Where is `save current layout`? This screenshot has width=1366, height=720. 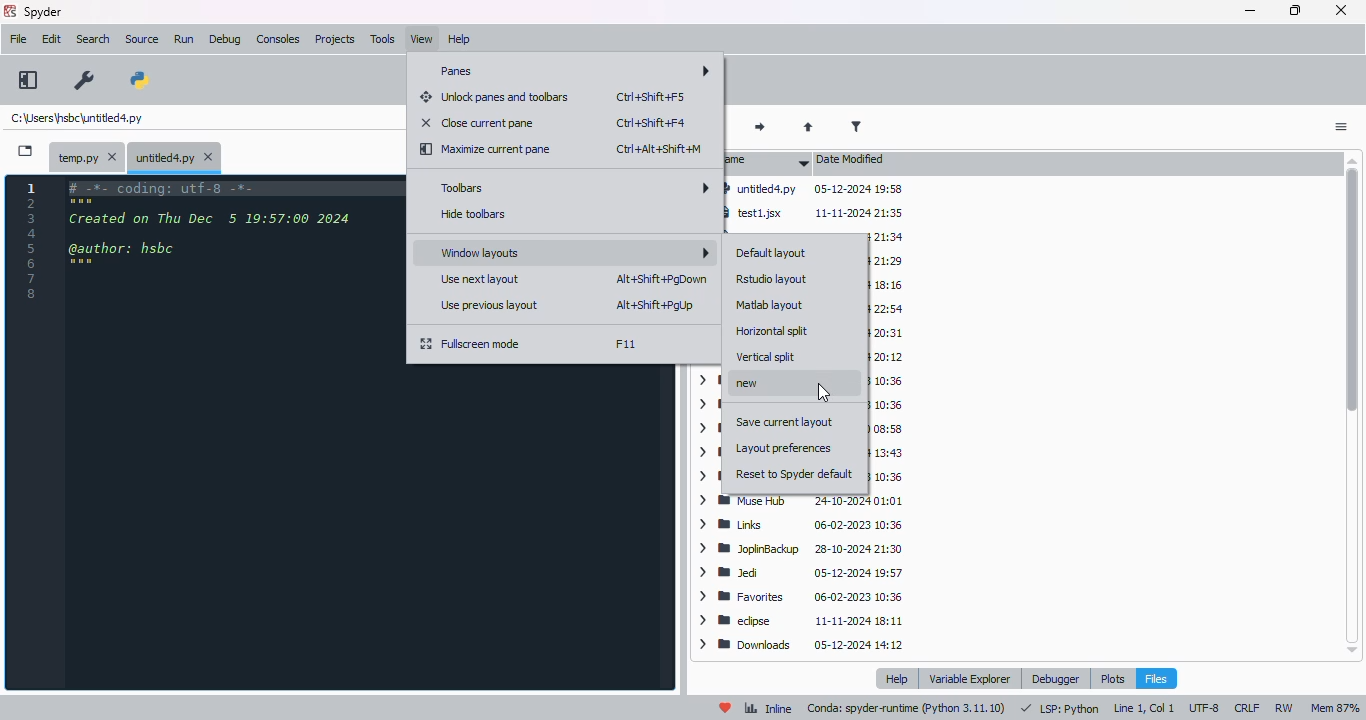 save current layout is located at coordinates (785, 422).